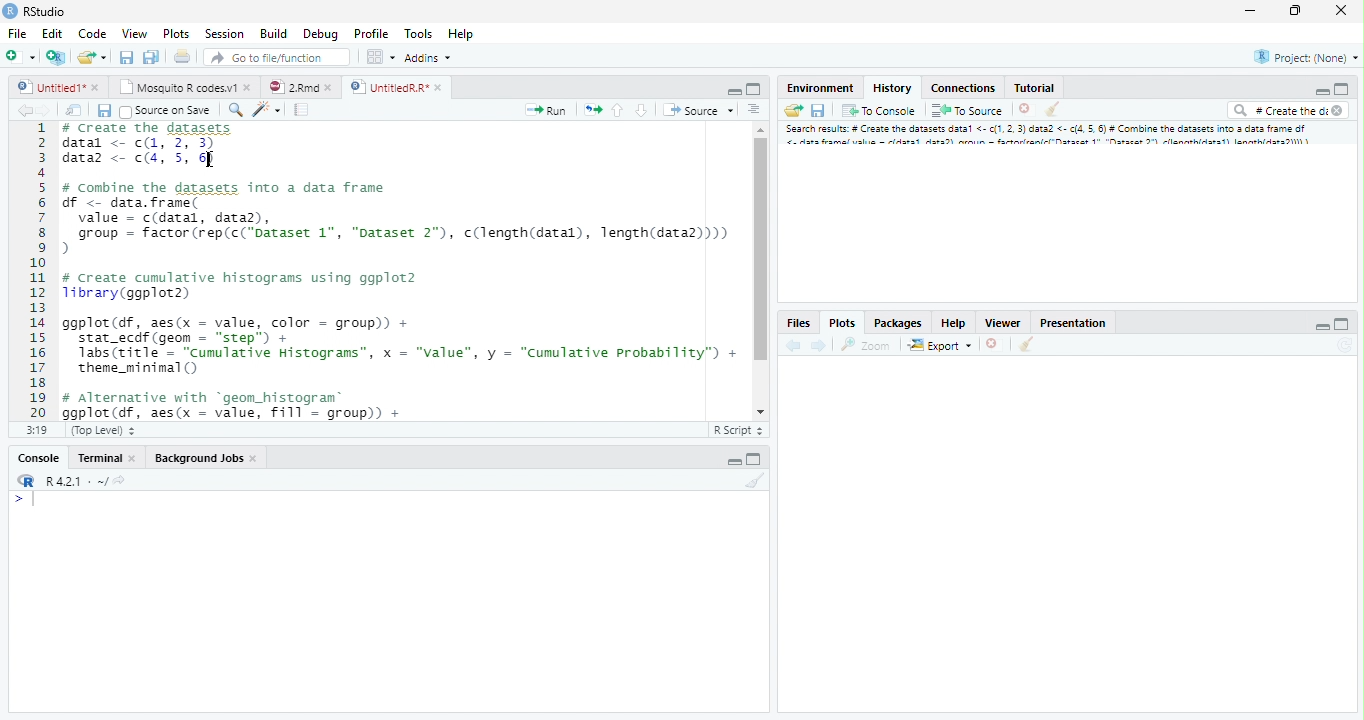 This screenshot has height=720, width=1364. Describe the element at coordinates (20, 55) in the screenshot. I see `New file` at that location.